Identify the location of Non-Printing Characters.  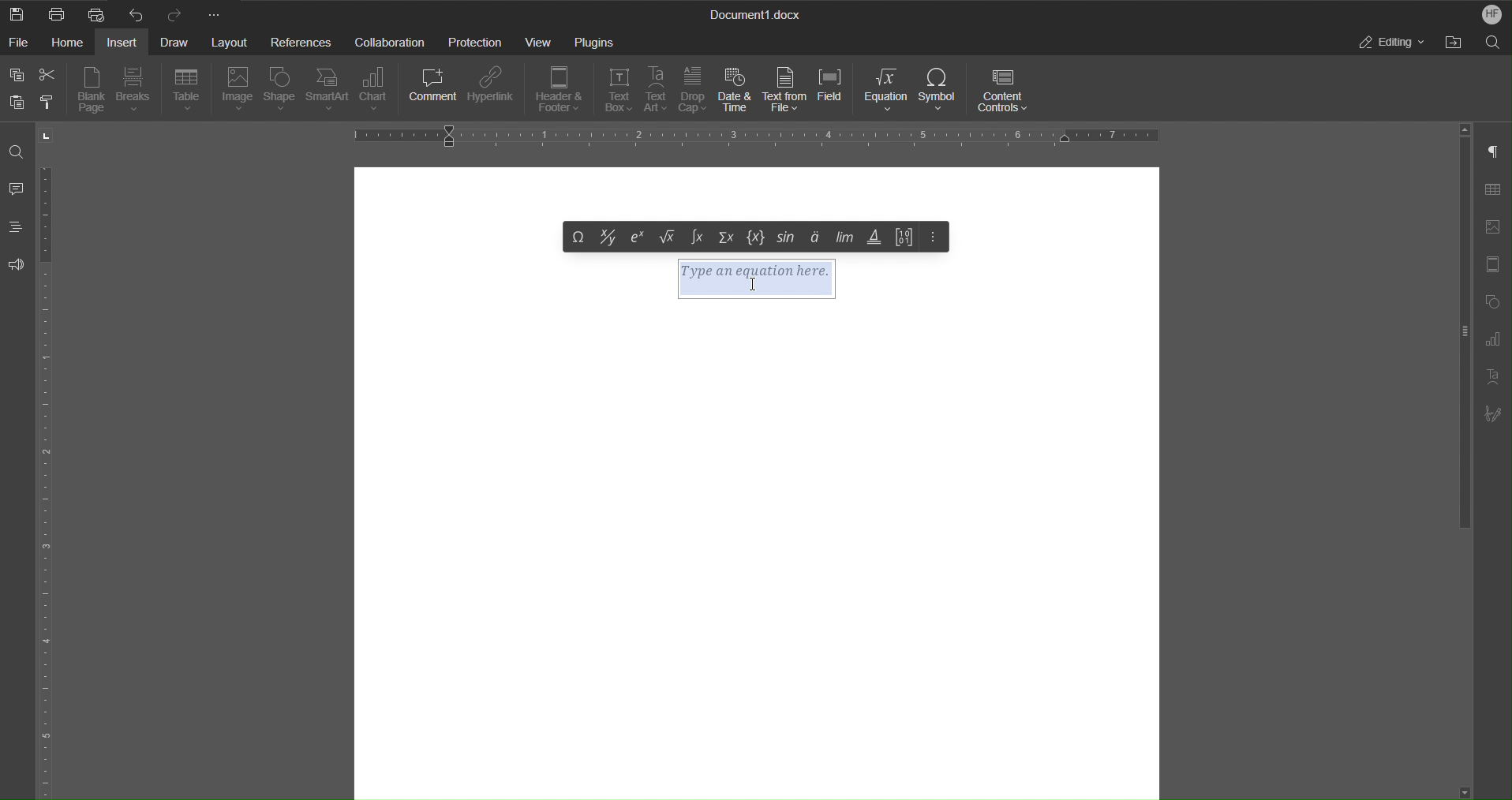
(1491, 151).